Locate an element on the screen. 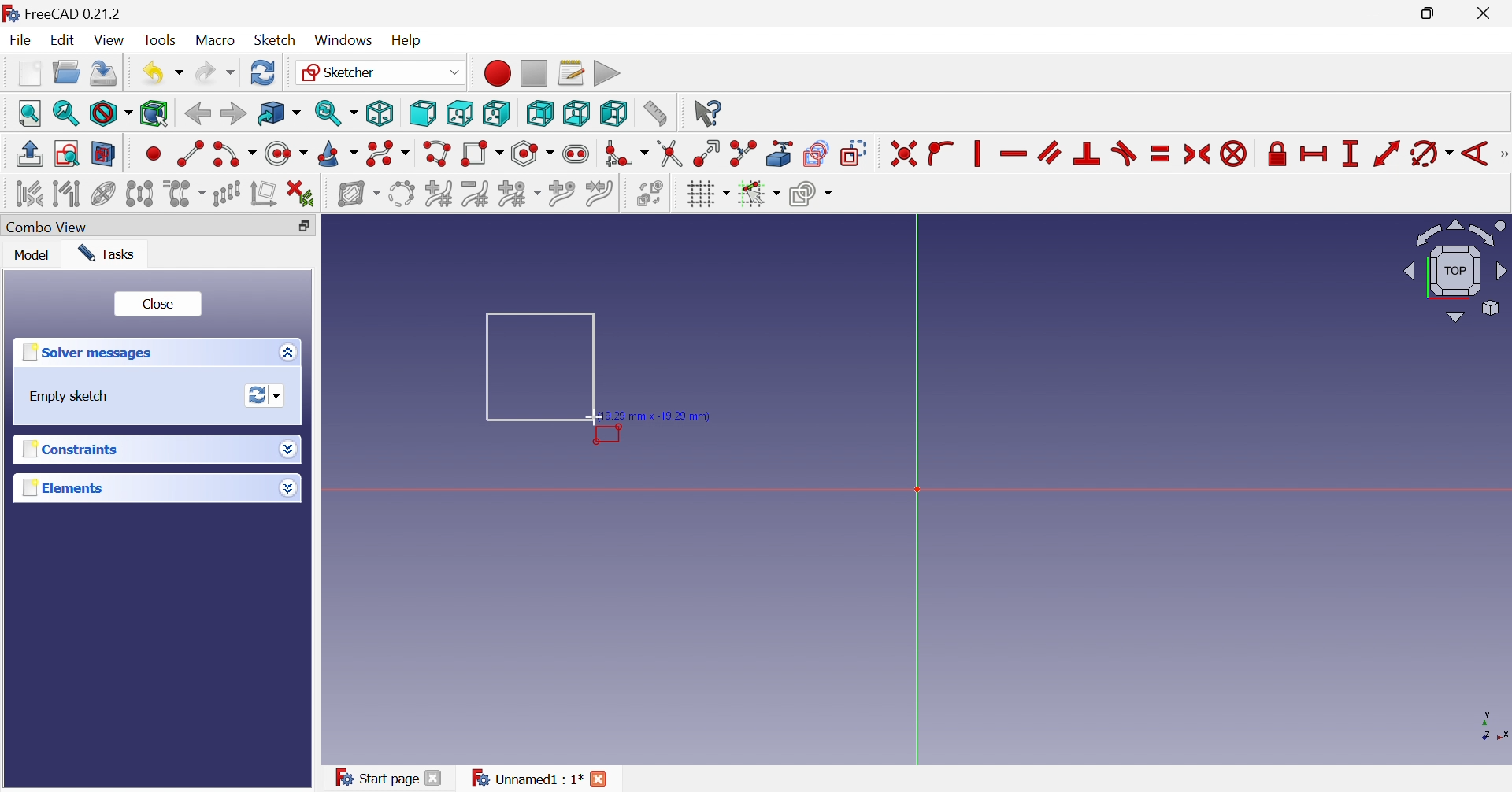 The image size is (1512, 792).  is located at coordinates (301, 194).